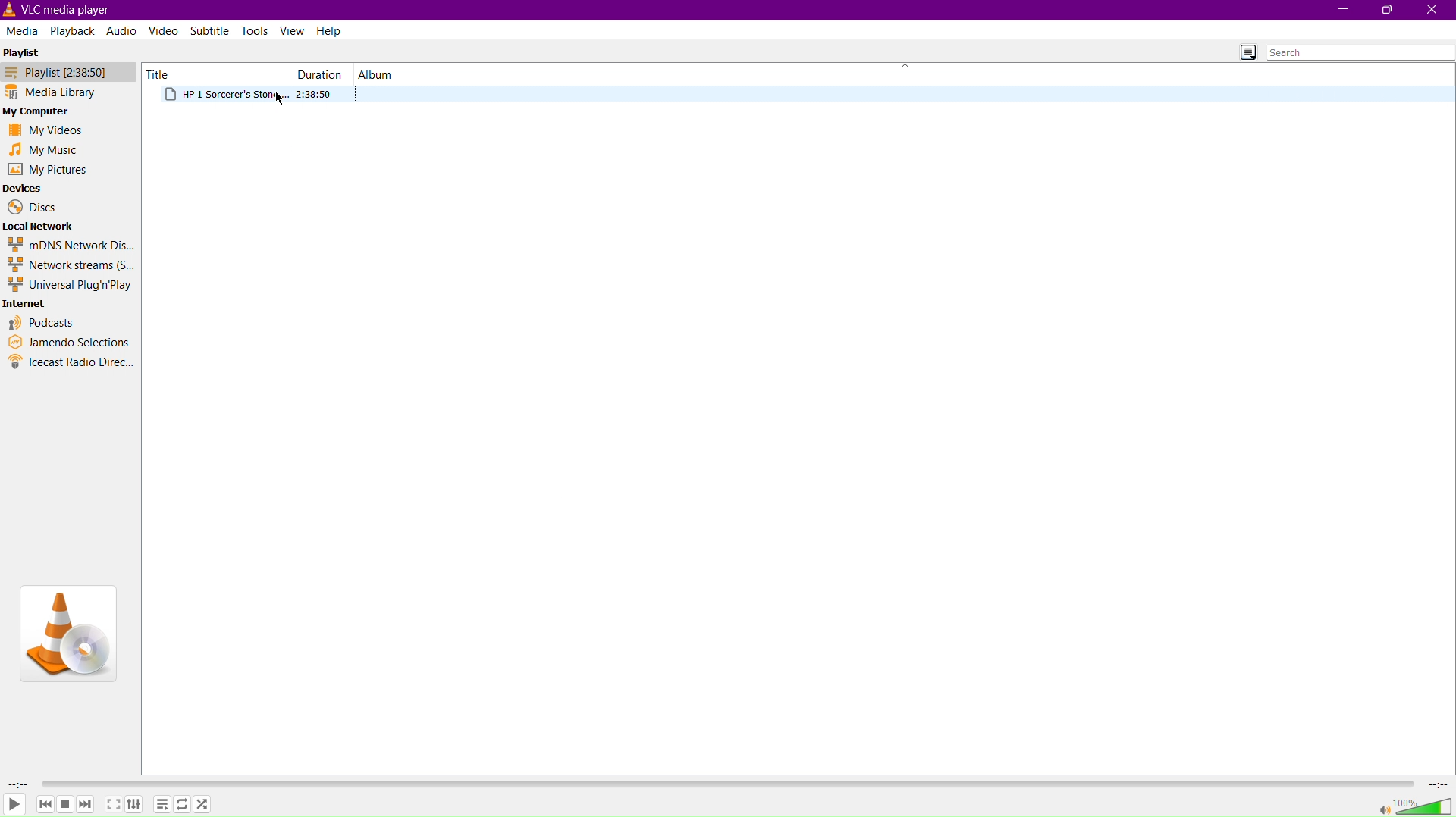  What do you see at coordinates (281, 100) in the screenshot?
I see `Cursor Position` at bounding box center [281, 100].